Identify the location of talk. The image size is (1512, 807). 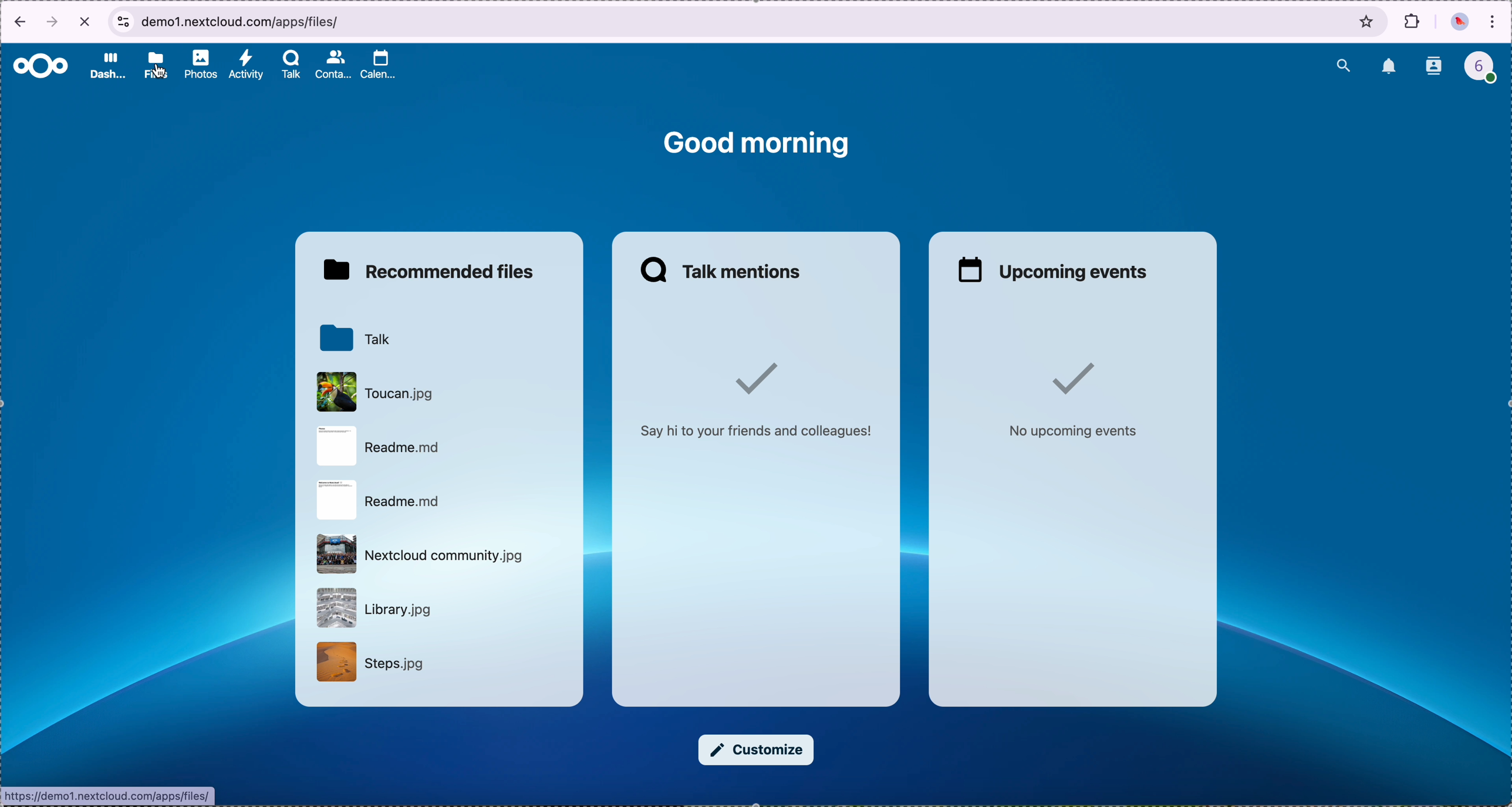
(355, 338).